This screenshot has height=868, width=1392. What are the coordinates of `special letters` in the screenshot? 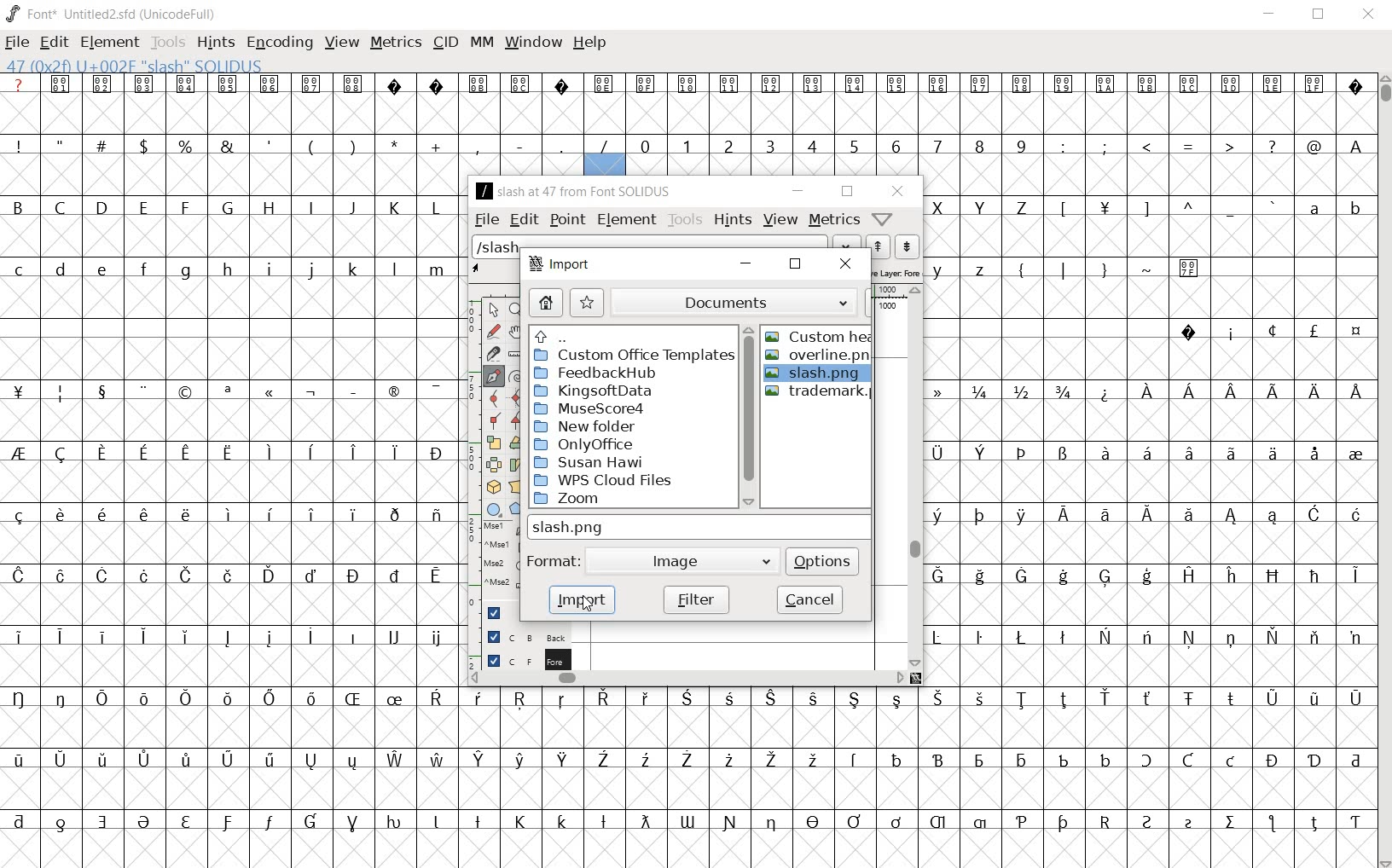 It's located at (686, 697).